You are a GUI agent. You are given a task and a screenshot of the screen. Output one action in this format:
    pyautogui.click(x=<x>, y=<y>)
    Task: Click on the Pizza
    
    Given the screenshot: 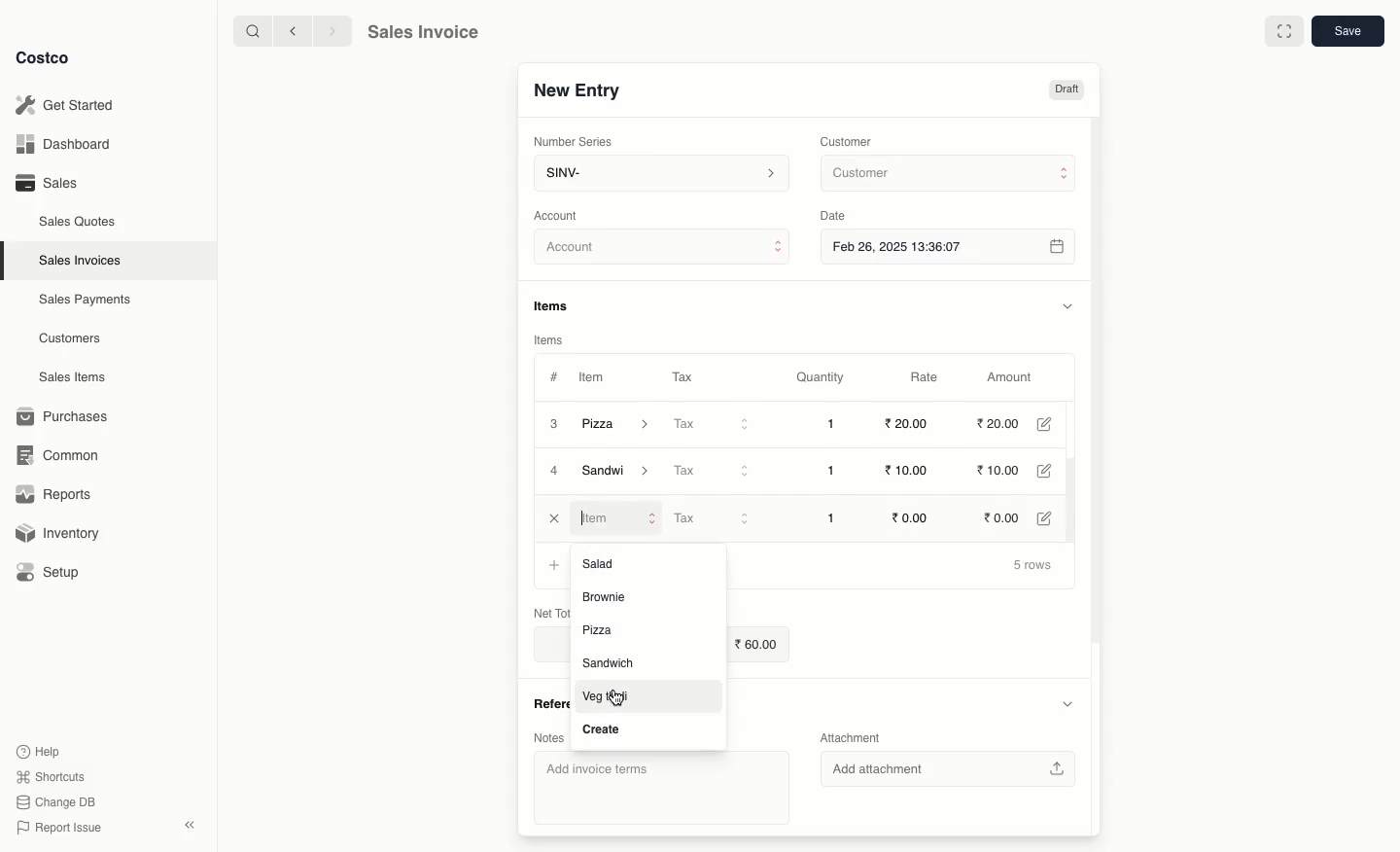 What is the action you would take?
    pyautogui.click(x=617, y=424)
    